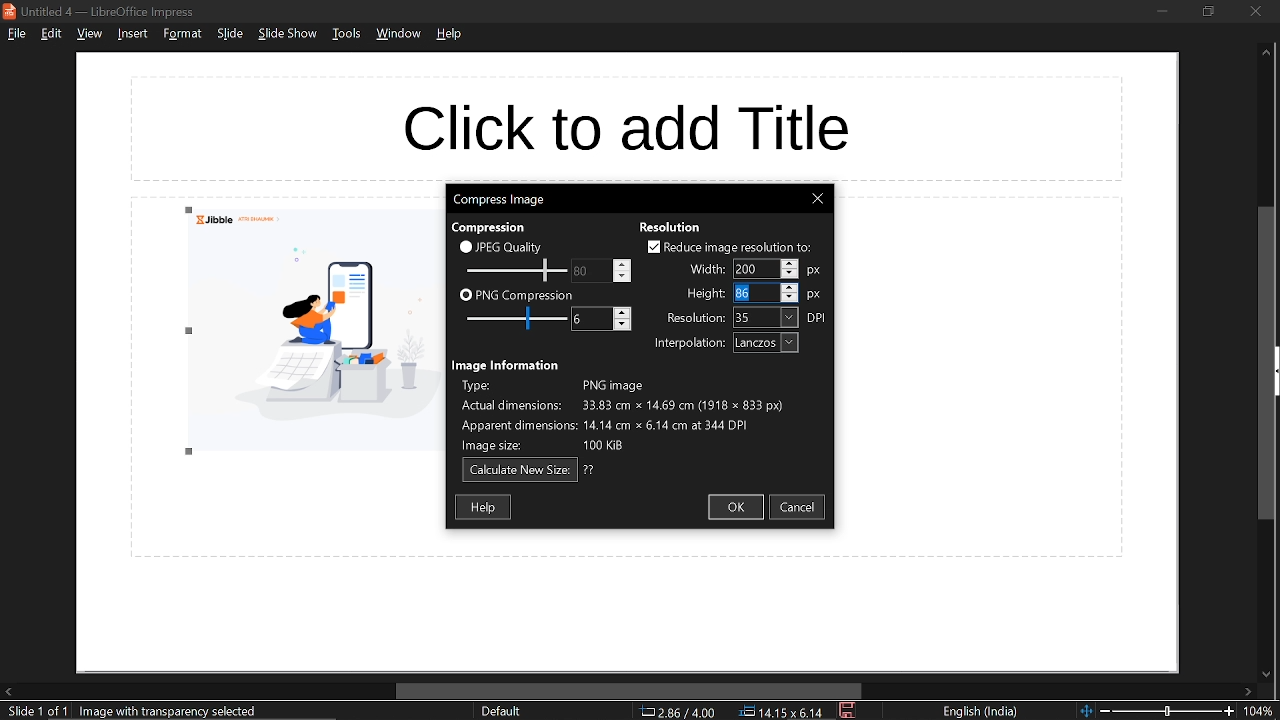  I want to click on image information, so click(508, 365).